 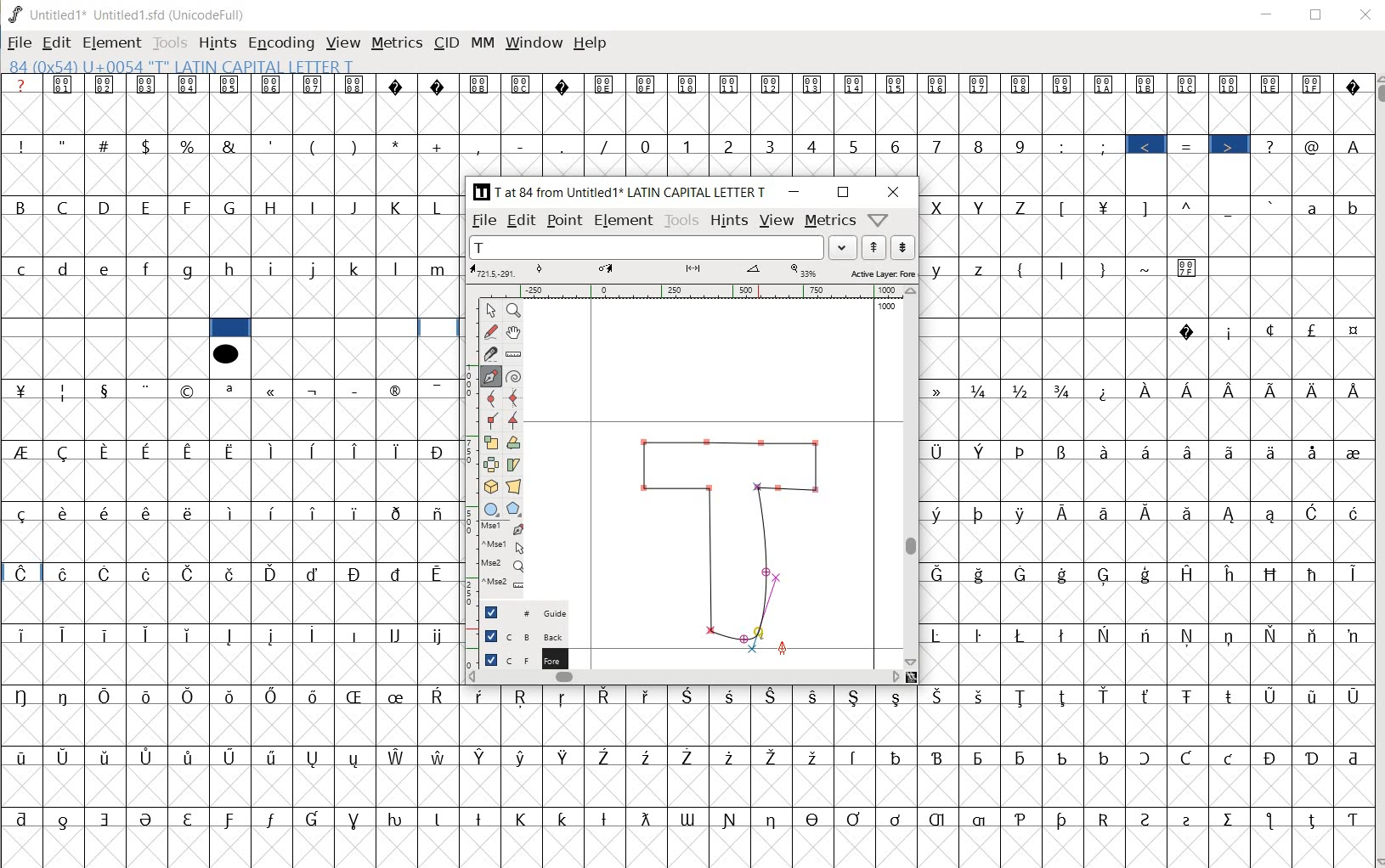 I want to click on Symbol, so click(x=65, y=695).